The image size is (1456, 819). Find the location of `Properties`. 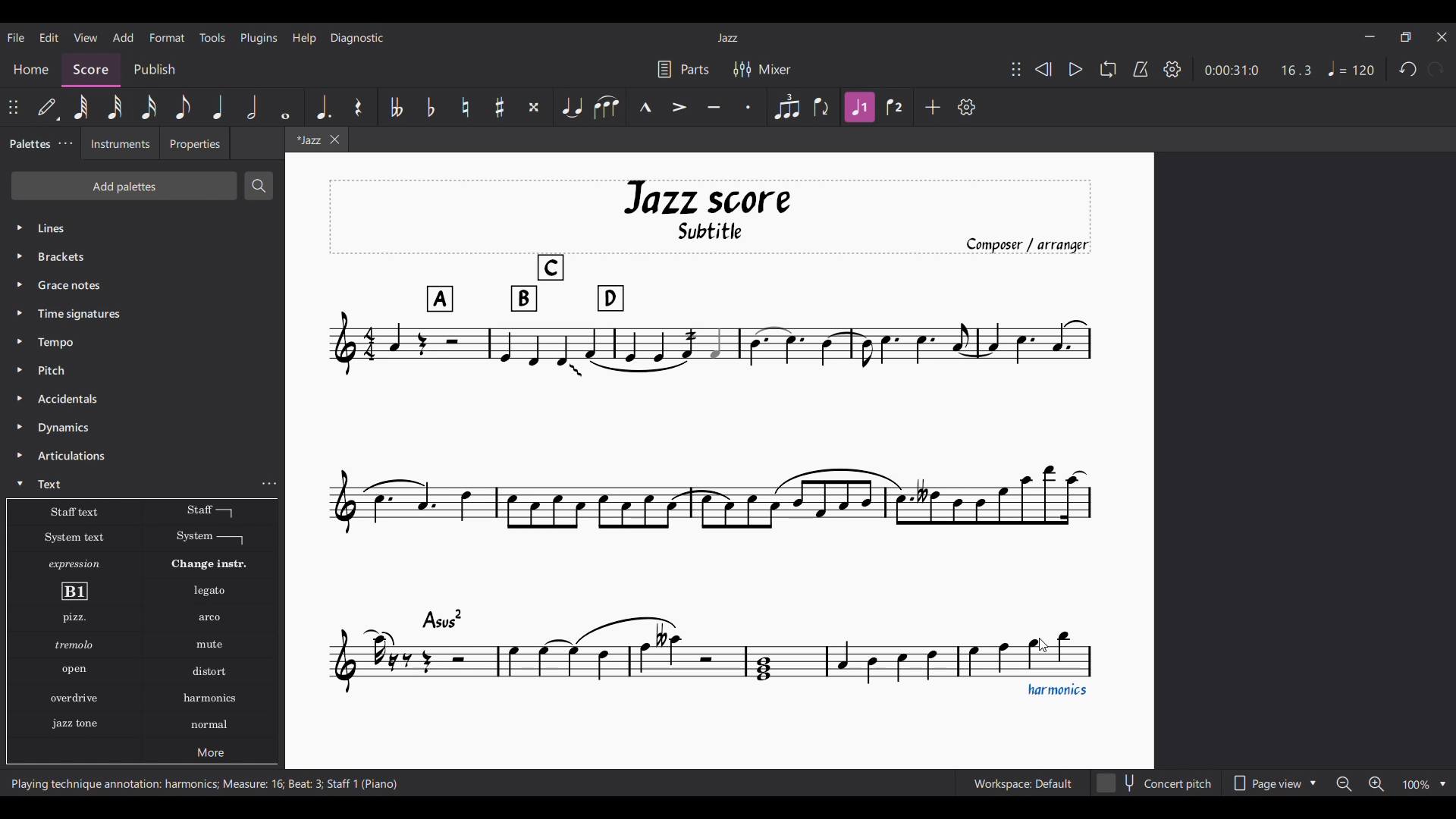

Properties is located at coordinates (194, 147).